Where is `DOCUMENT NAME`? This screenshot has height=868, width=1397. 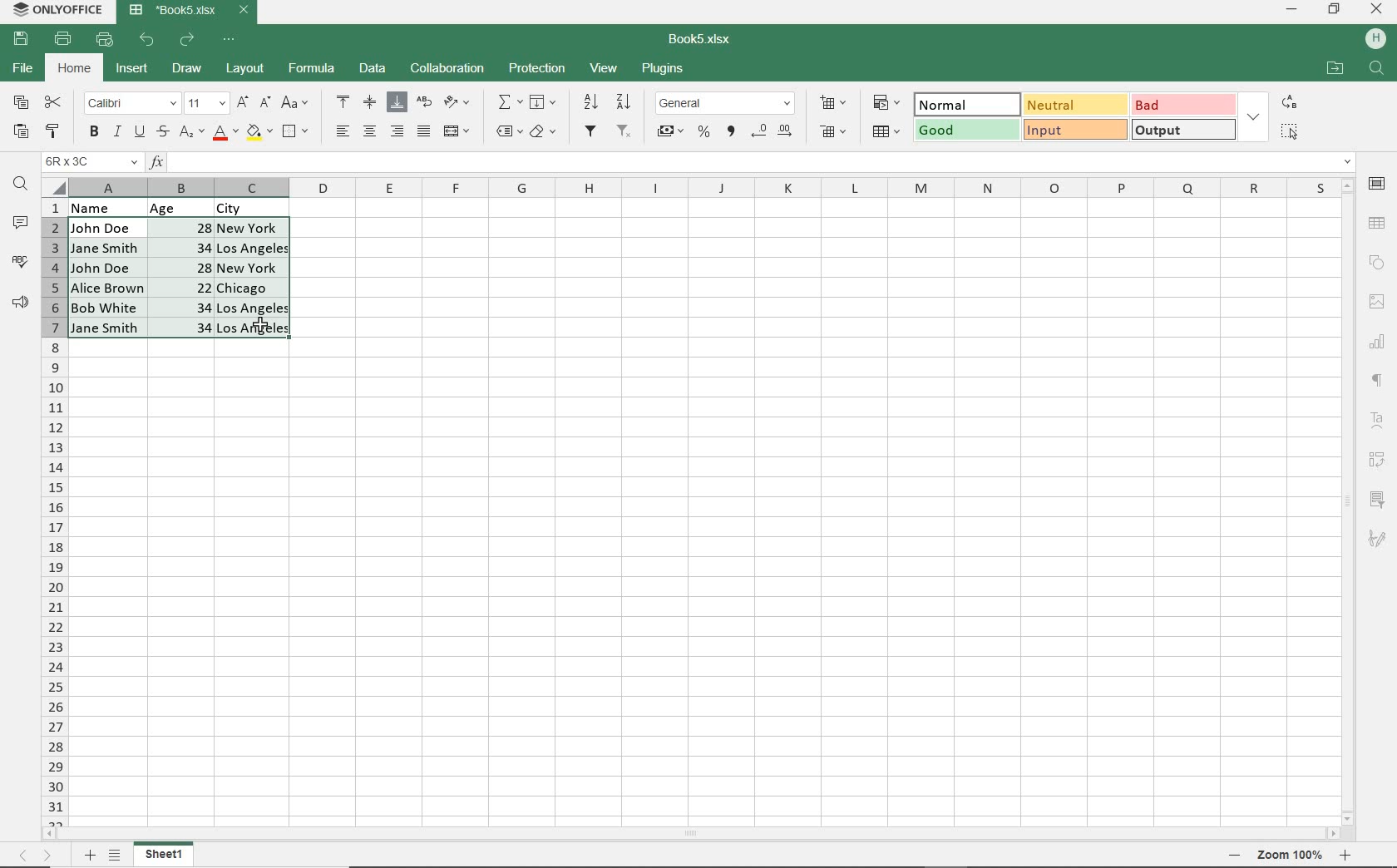
DOCUMENT NAME is located at coordinates (706, 40).